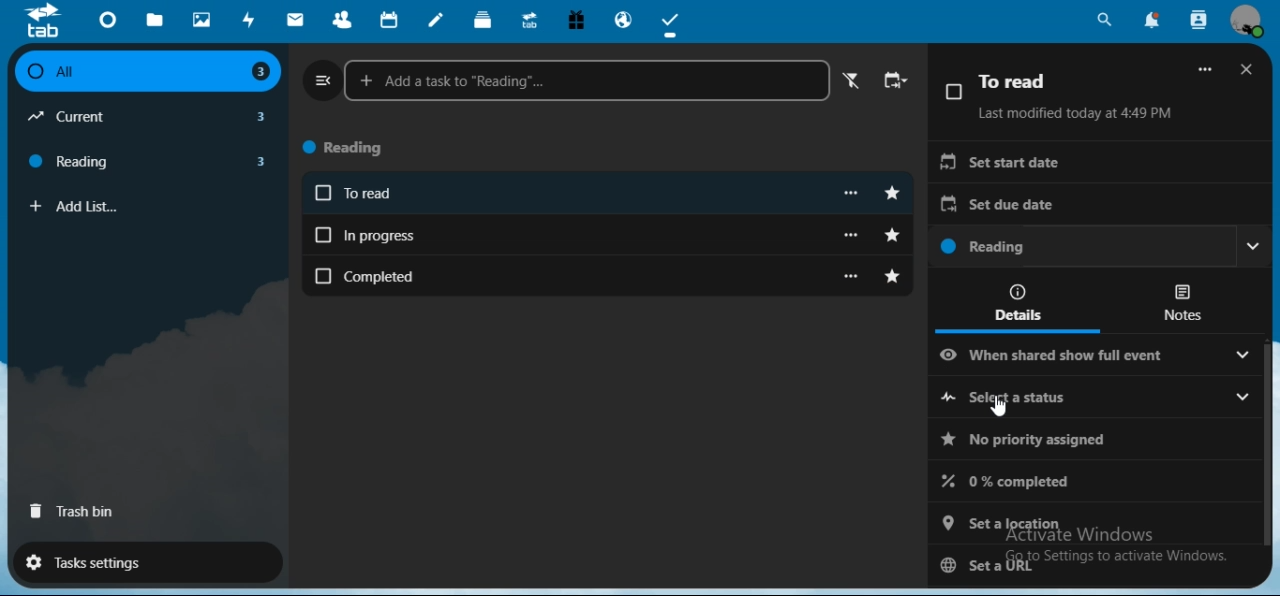 Image resolution: width=1280 pixels, height=596 pixels. What do you see at coordinates (854, 193) in the screenshot?
I see `more` at bounding box center [854, 193].